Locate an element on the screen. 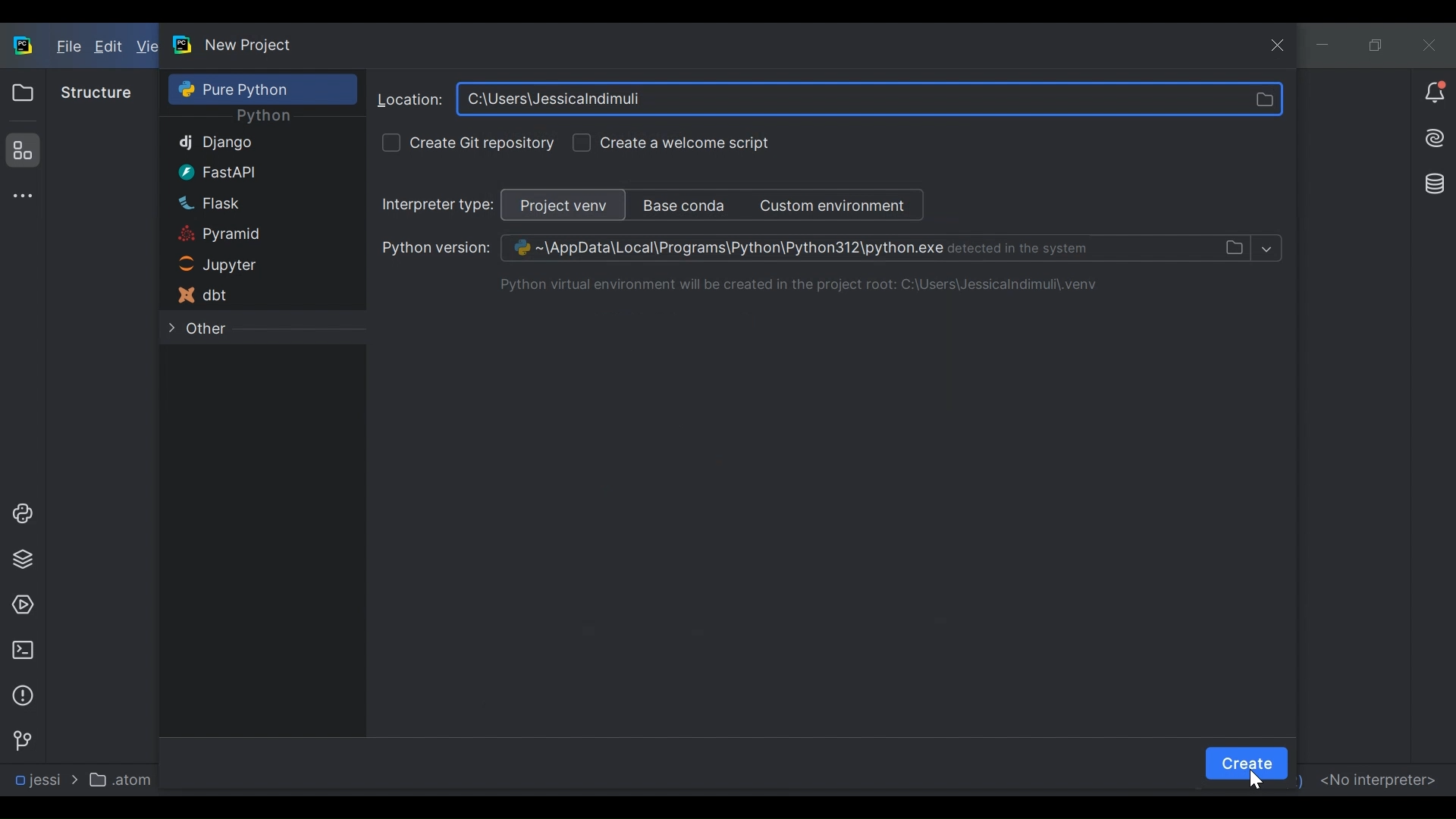 This screenshot has width=1456, height=819. Project View is located at coordinates (22, 93).